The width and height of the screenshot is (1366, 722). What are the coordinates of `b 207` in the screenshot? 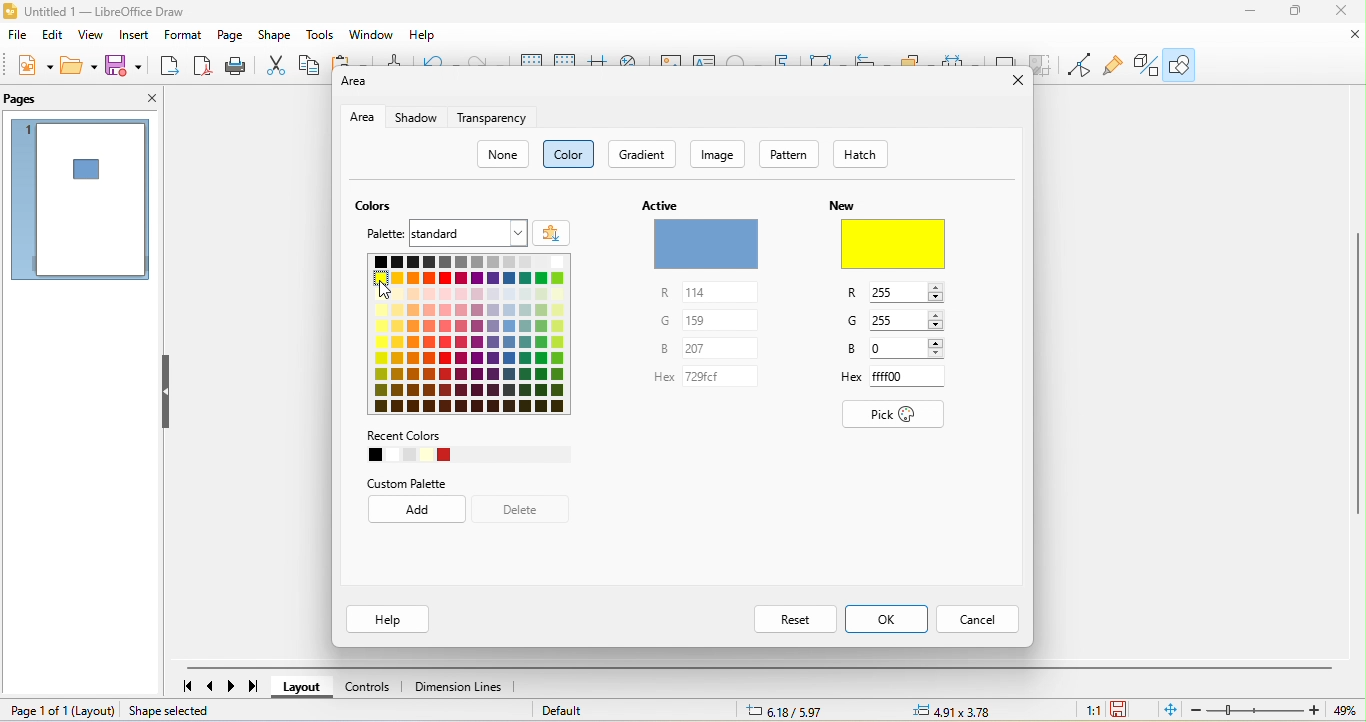 It's located at (708, 346).